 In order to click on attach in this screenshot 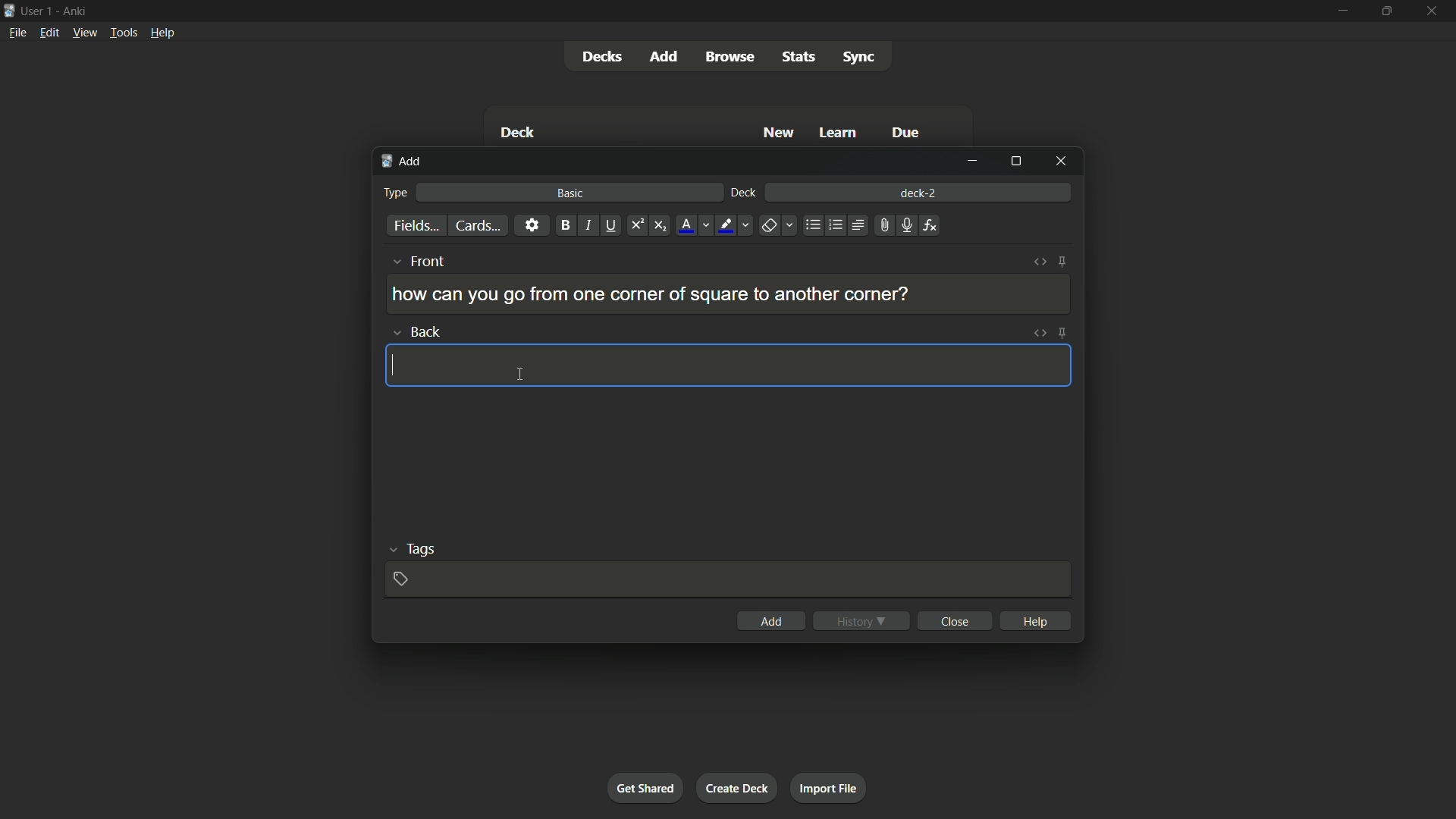, I will do `click(885, 224)`.